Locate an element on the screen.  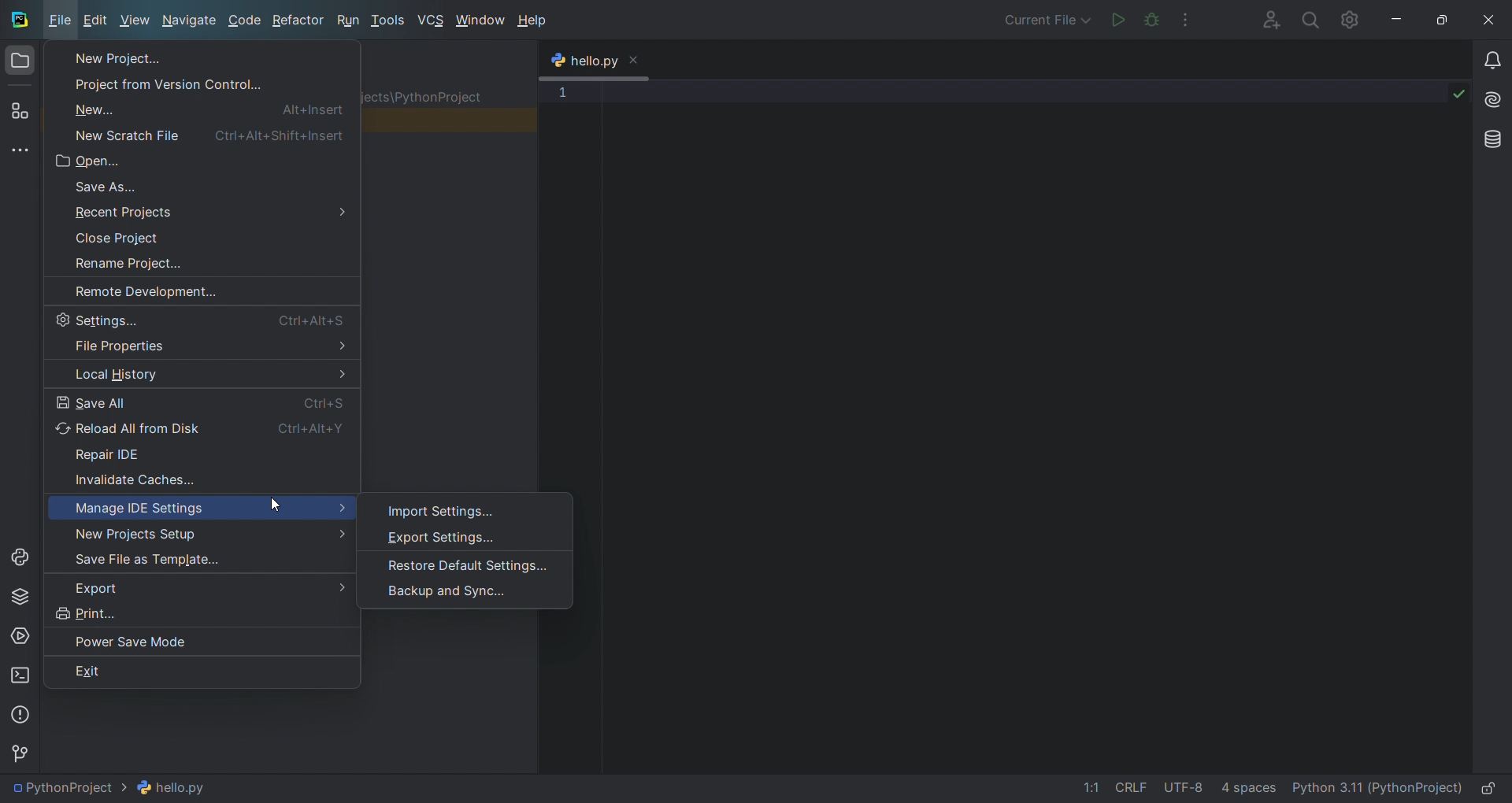
invalidate cache is located at coordinates (202, 477).